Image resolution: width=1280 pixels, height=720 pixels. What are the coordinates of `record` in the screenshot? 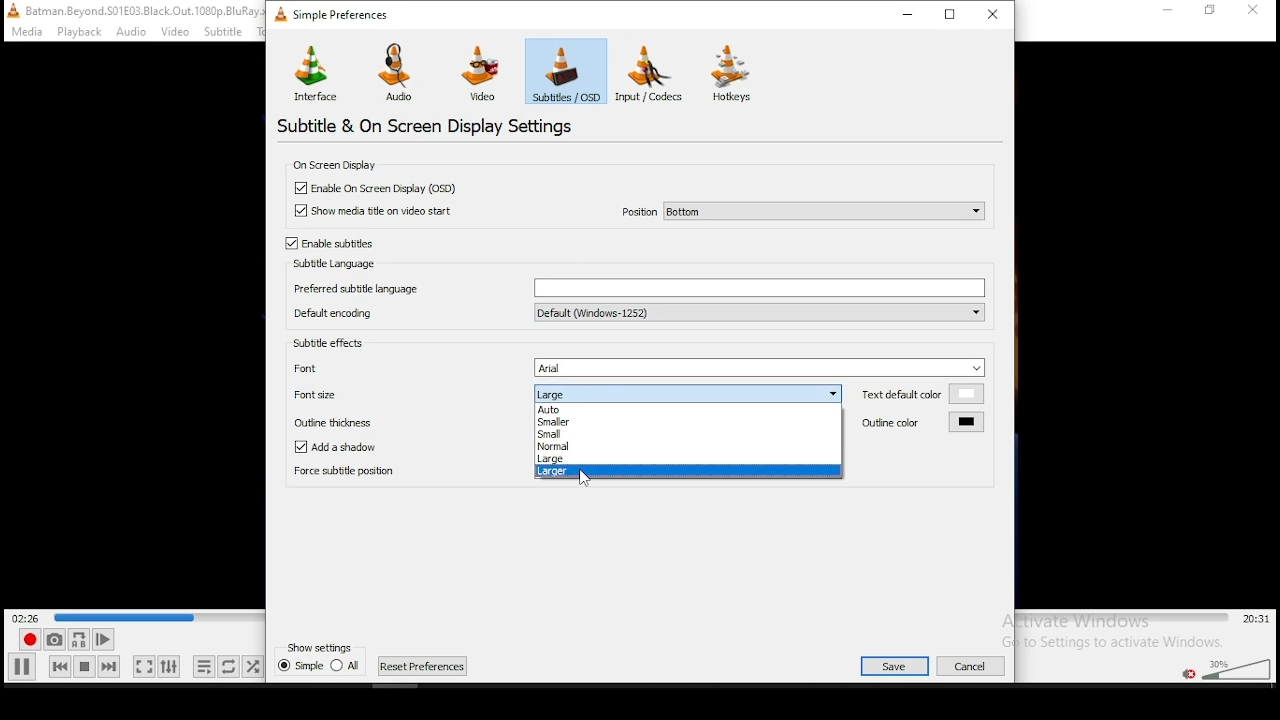 It's located at (30, 639).